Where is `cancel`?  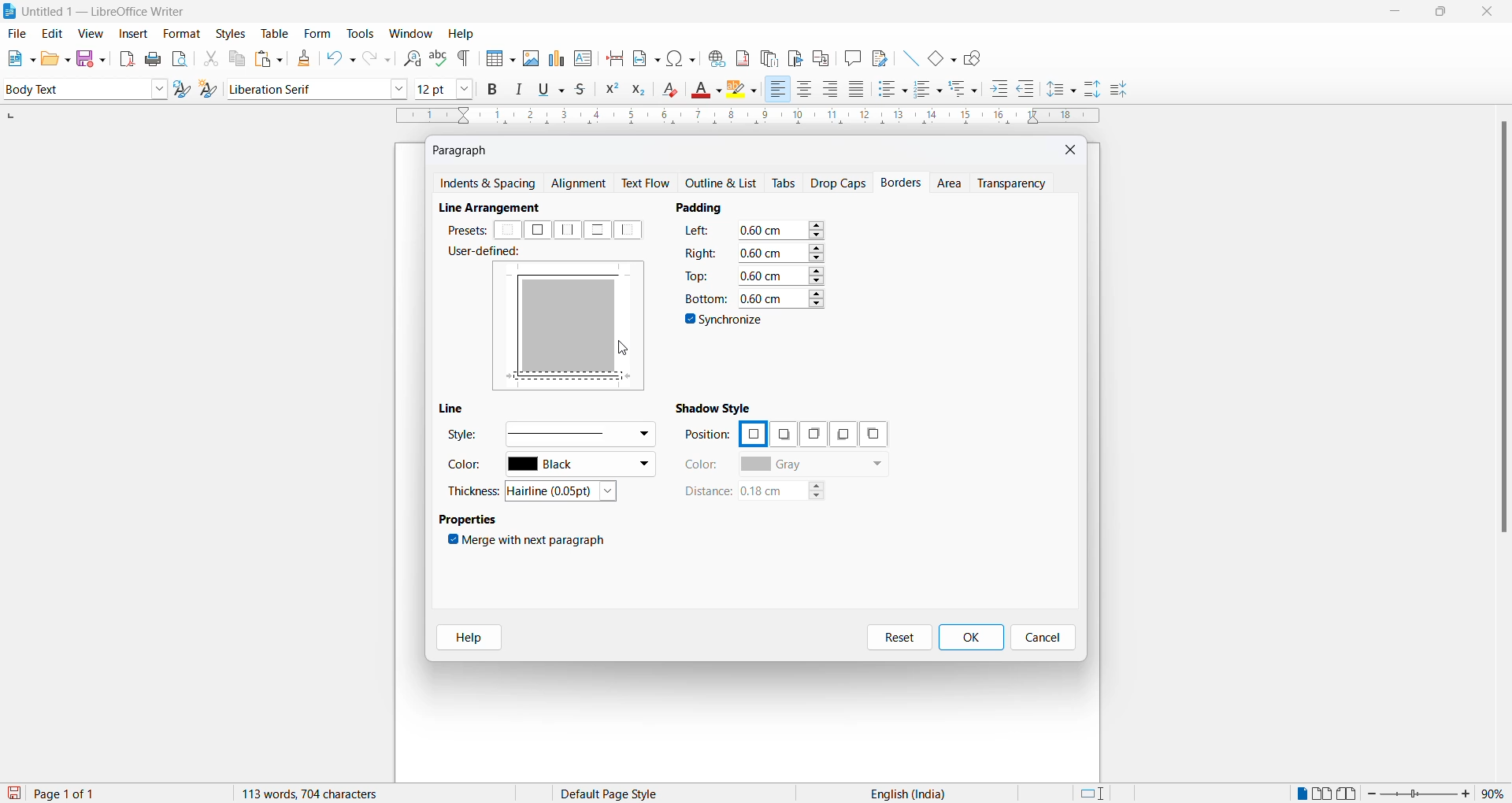 cancel is located at coordinates (1043, 638).